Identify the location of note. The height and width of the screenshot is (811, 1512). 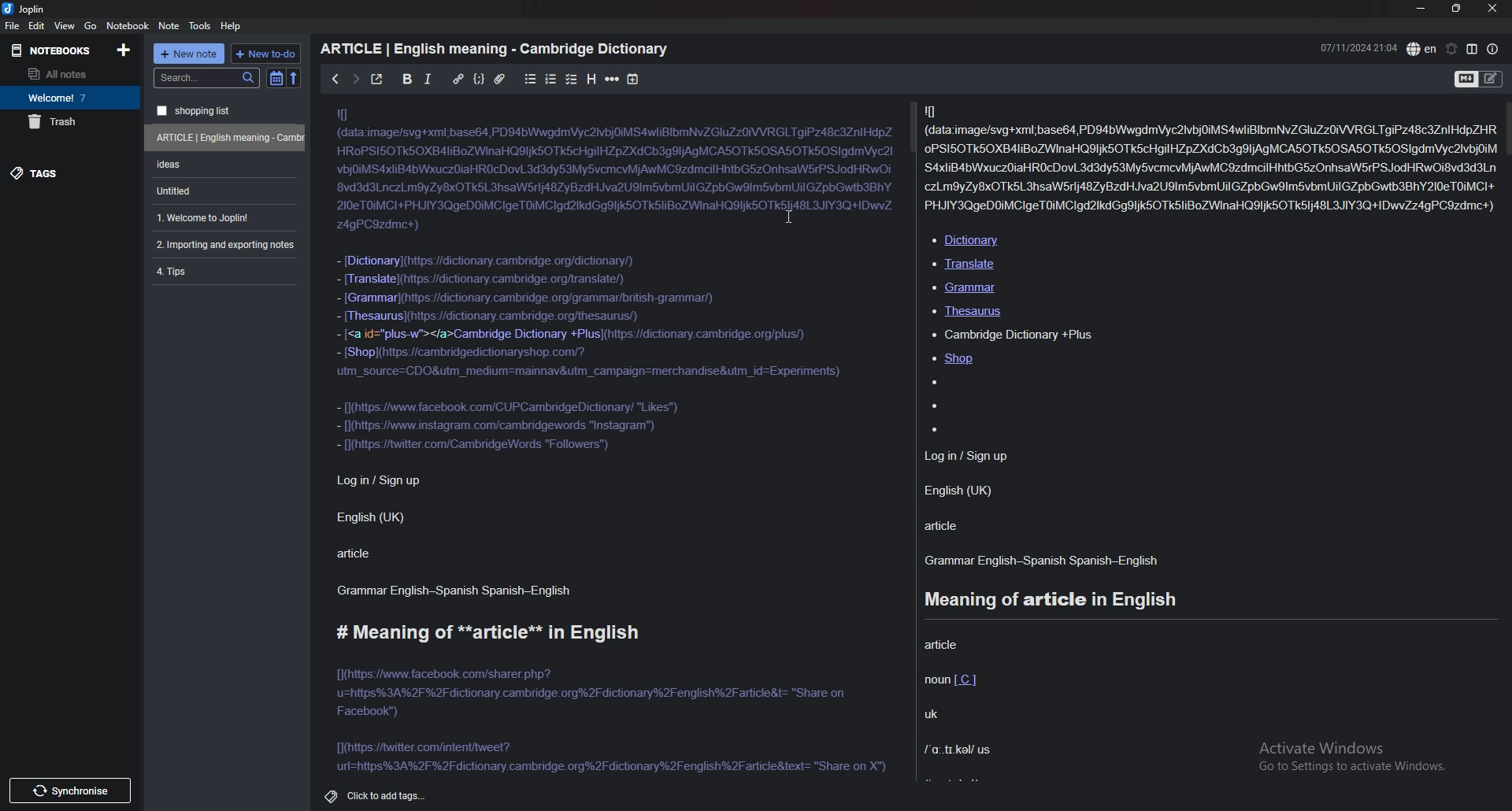
(224, 165).